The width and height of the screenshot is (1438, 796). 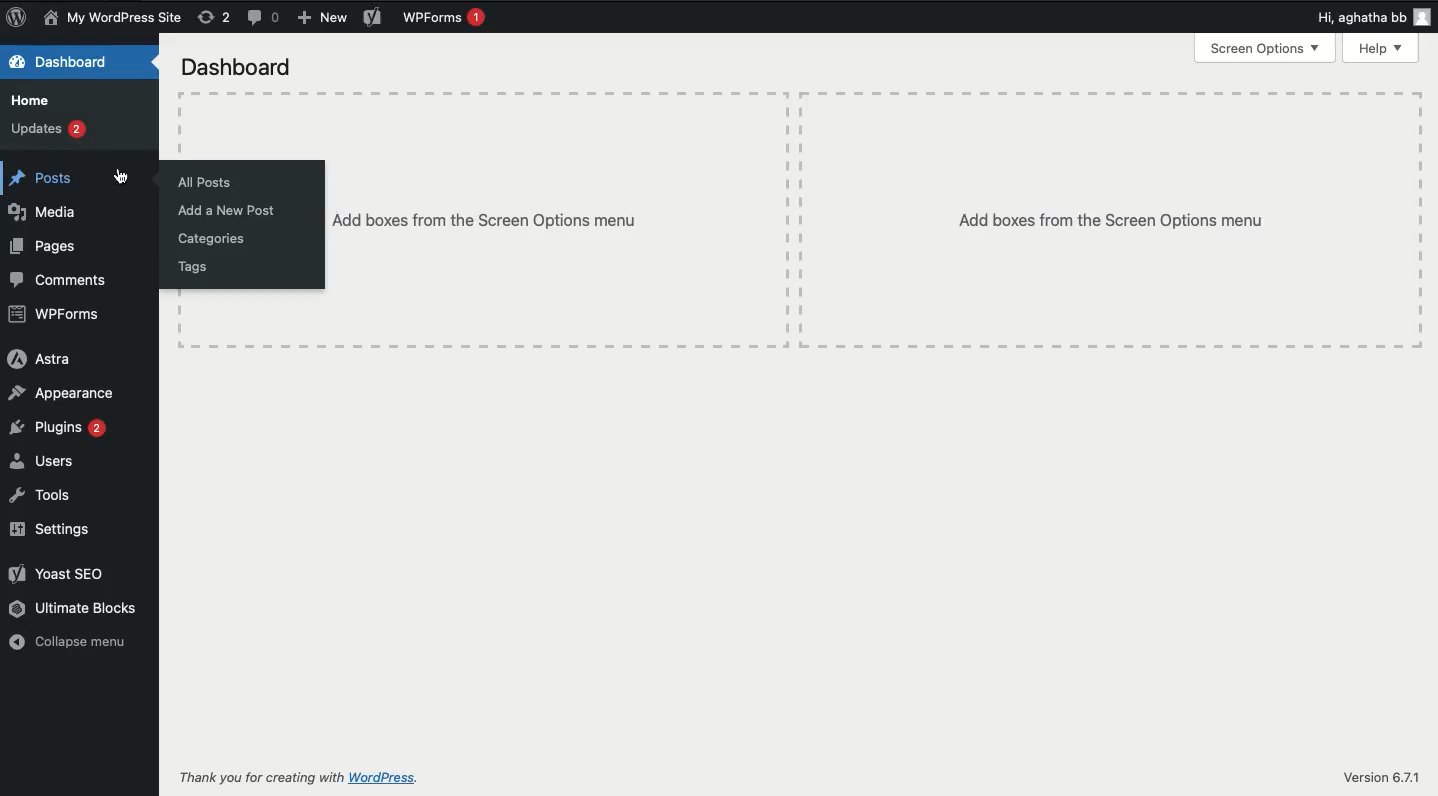 What do you see at coordinates (70, 641) in the screenshot?
I see `Collapse menu` at bounding box center [70, 641].